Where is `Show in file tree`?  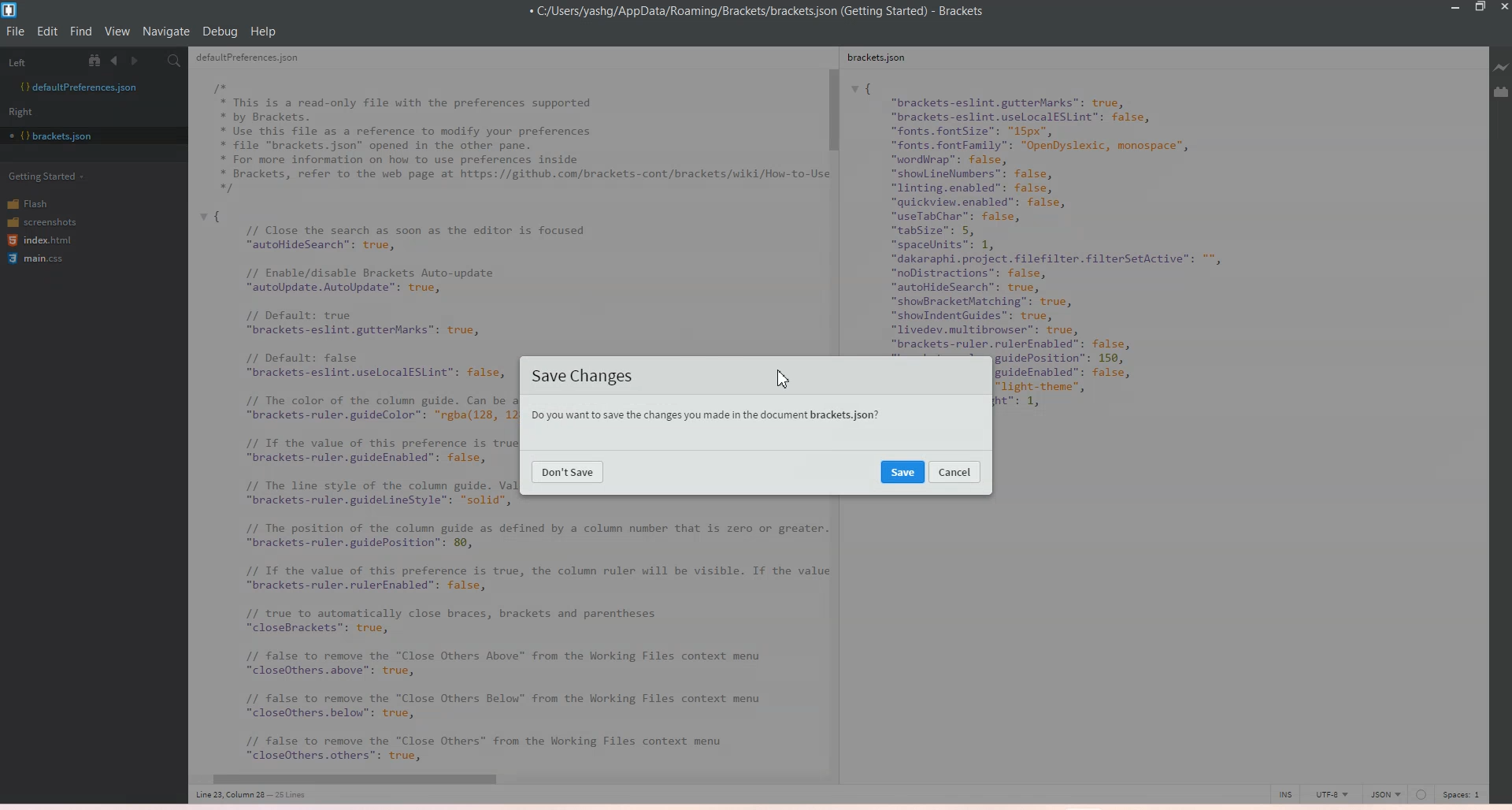
Show in file tree is located at coordinates (98, 60).